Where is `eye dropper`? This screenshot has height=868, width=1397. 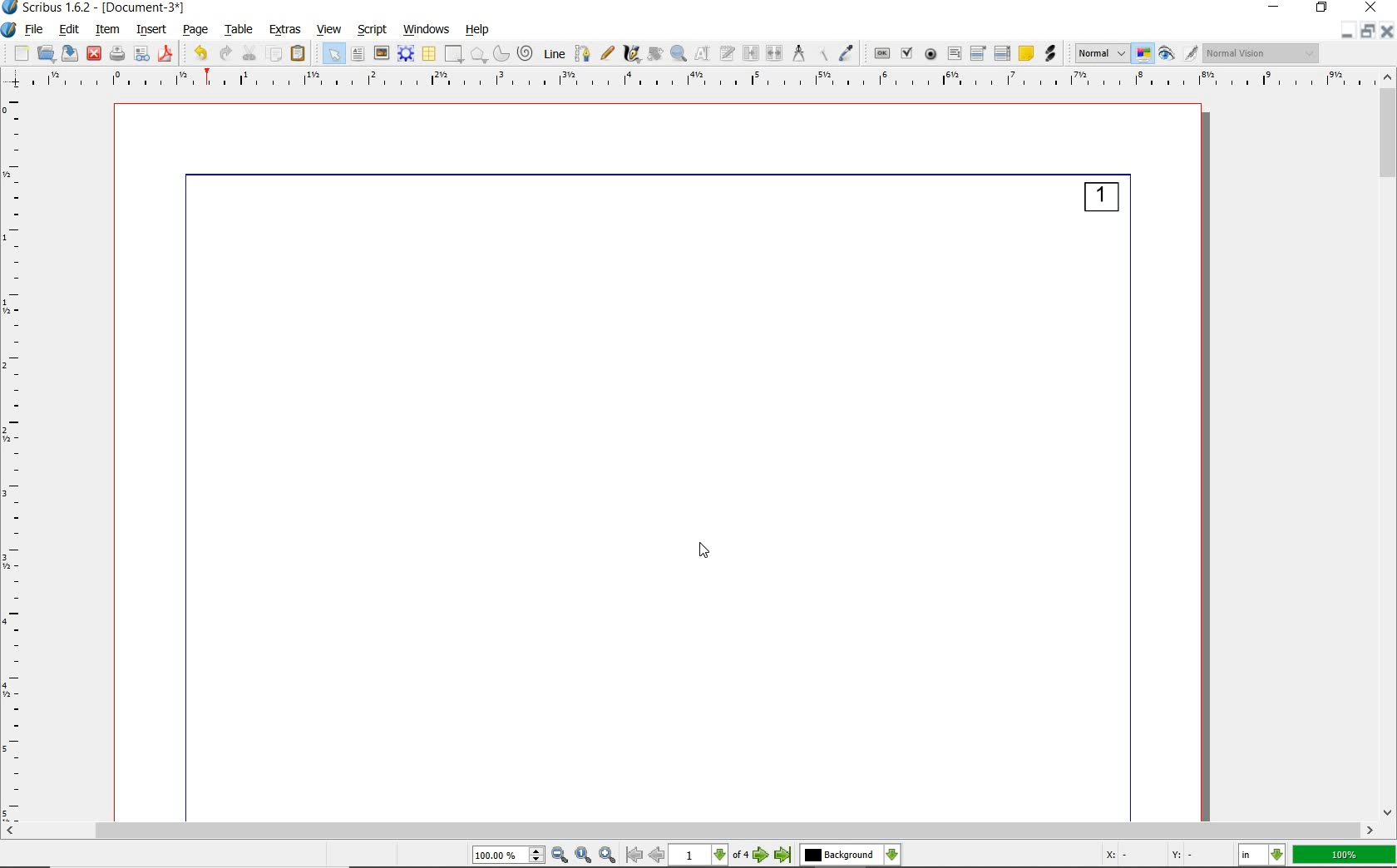
eye dropper is located at coordinates (846, 54).